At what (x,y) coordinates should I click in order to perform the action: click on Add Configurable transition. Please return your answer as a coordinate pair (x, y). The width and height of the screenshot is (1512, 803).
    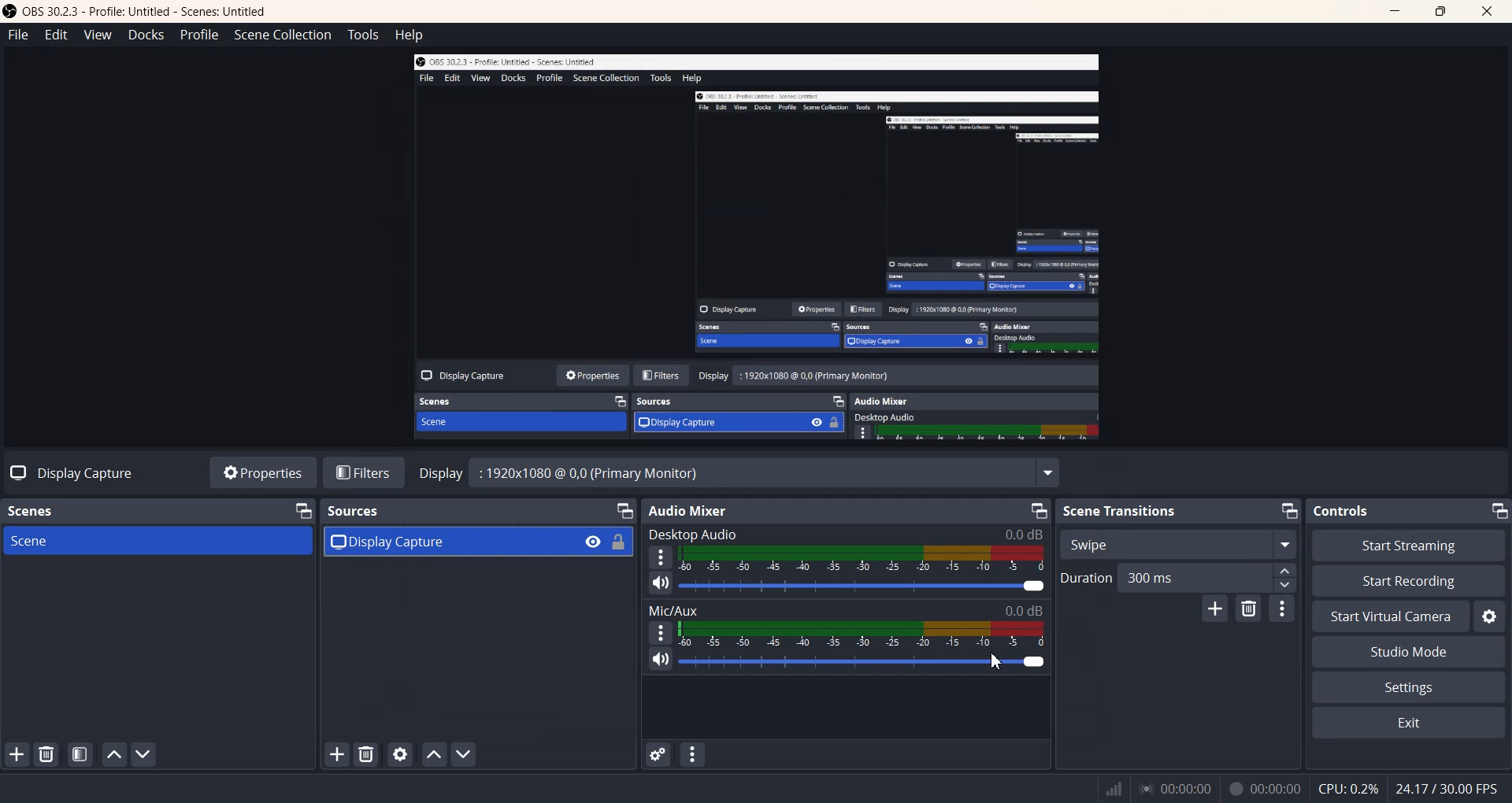
    Looking at the image, I should click on (1214, 609).